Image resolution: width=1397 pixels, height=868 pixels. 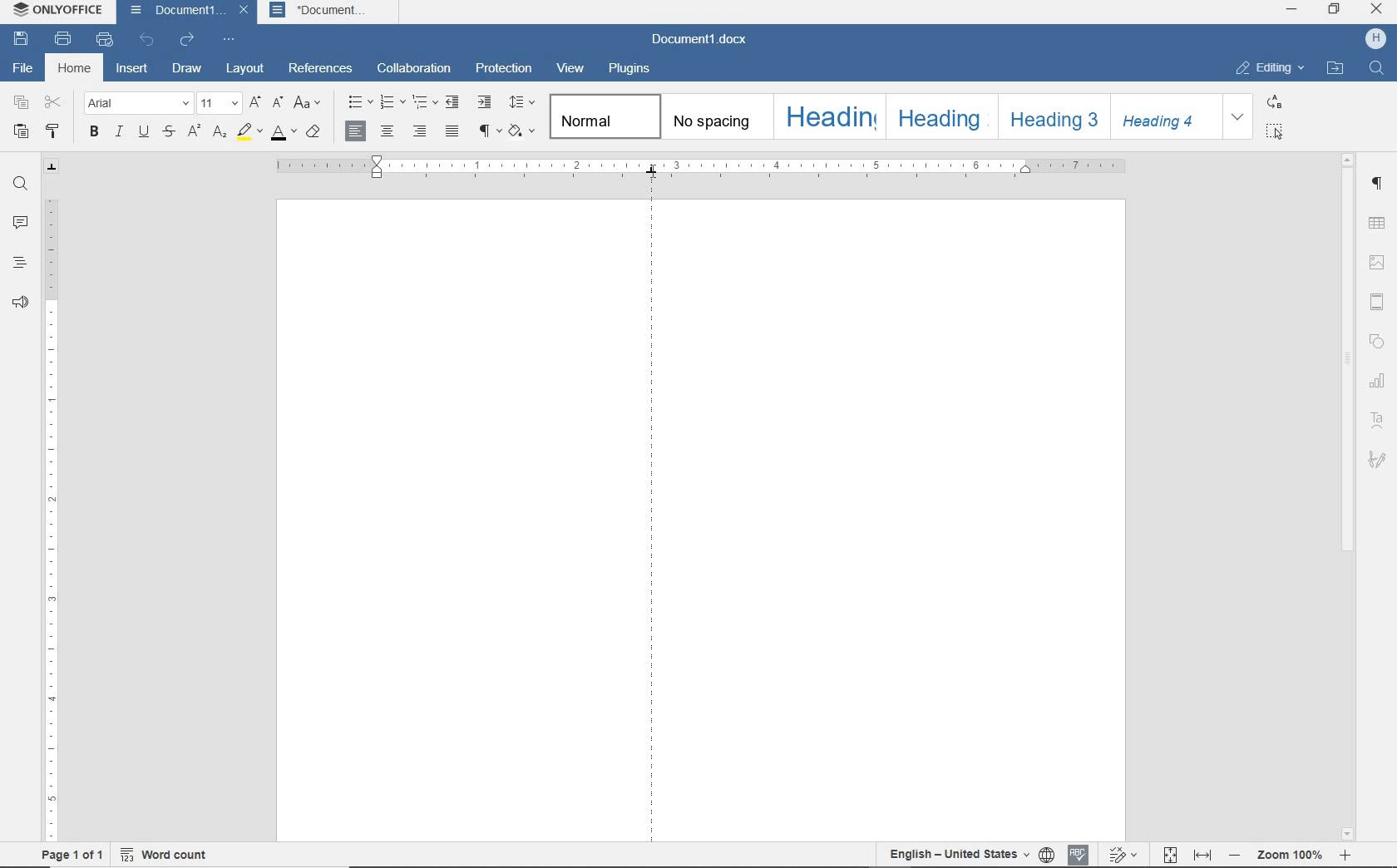 I want to click on DRAW, so click(x=187, y=69).